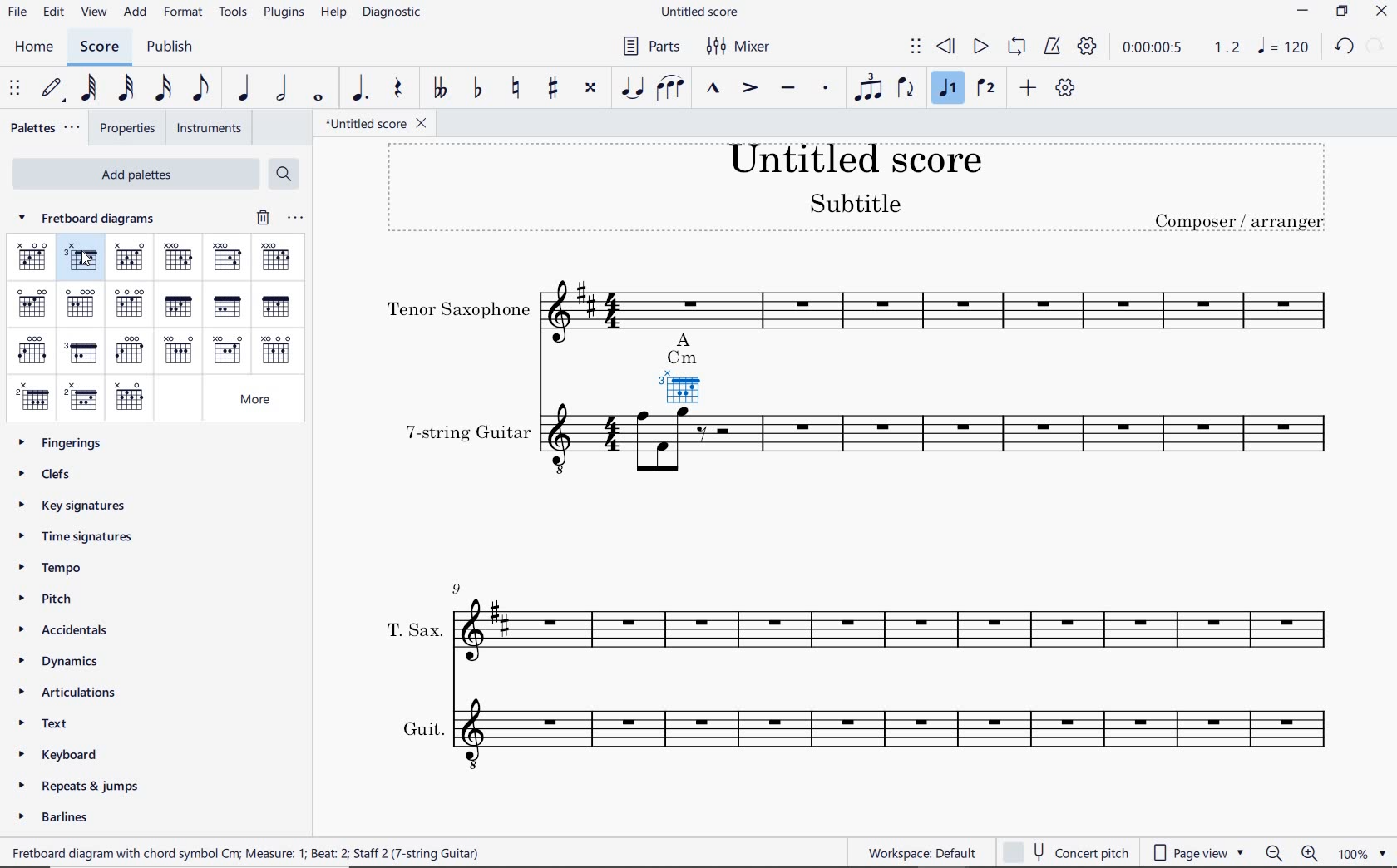 This screenshot has width=1397, height=868. What do you see at coordinates (234, 13) in the screenshot?
I see `TOOLS` at bounding box center [234, 13].